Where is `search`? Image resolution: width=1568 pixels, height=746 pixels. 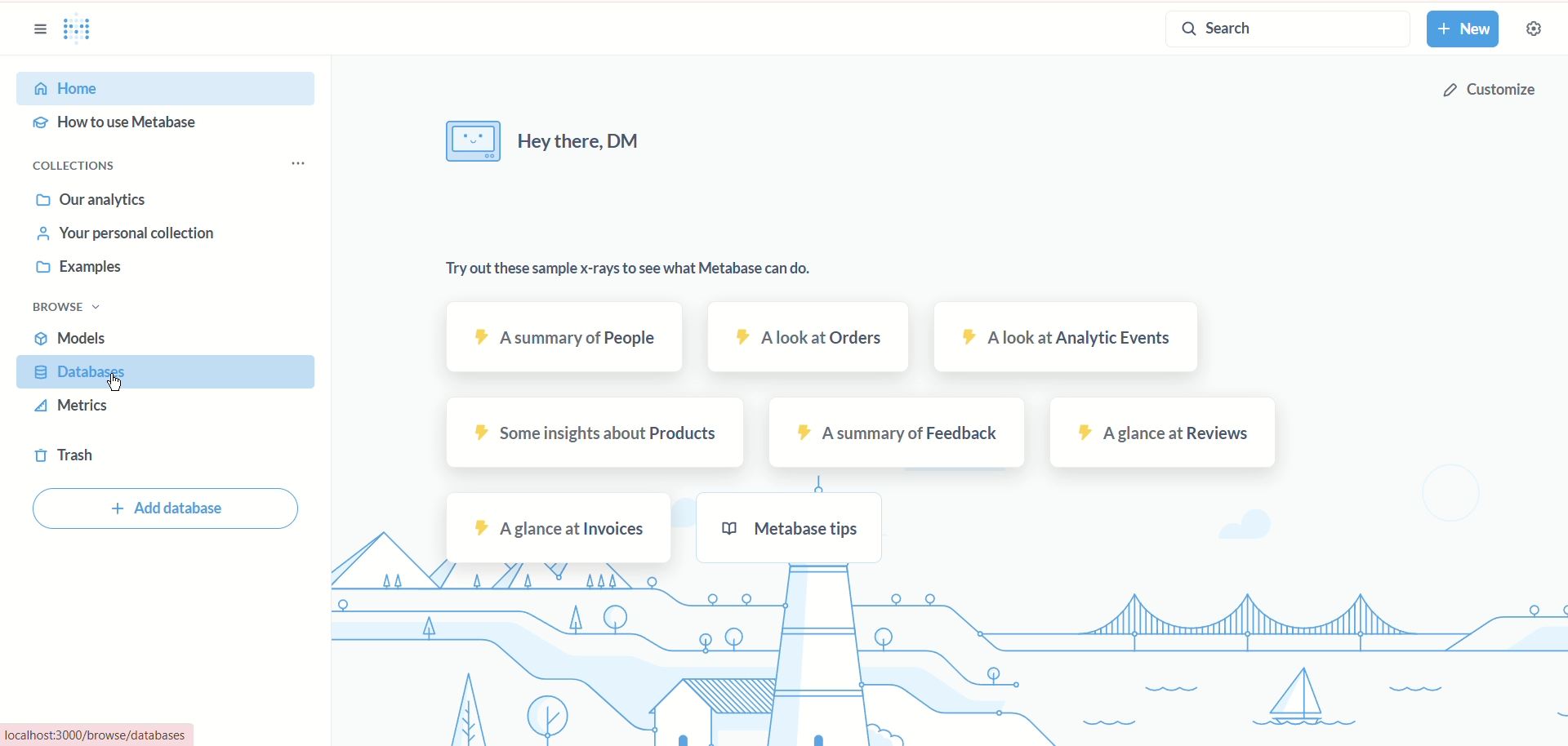 search is located at coordinates (1285, 31).